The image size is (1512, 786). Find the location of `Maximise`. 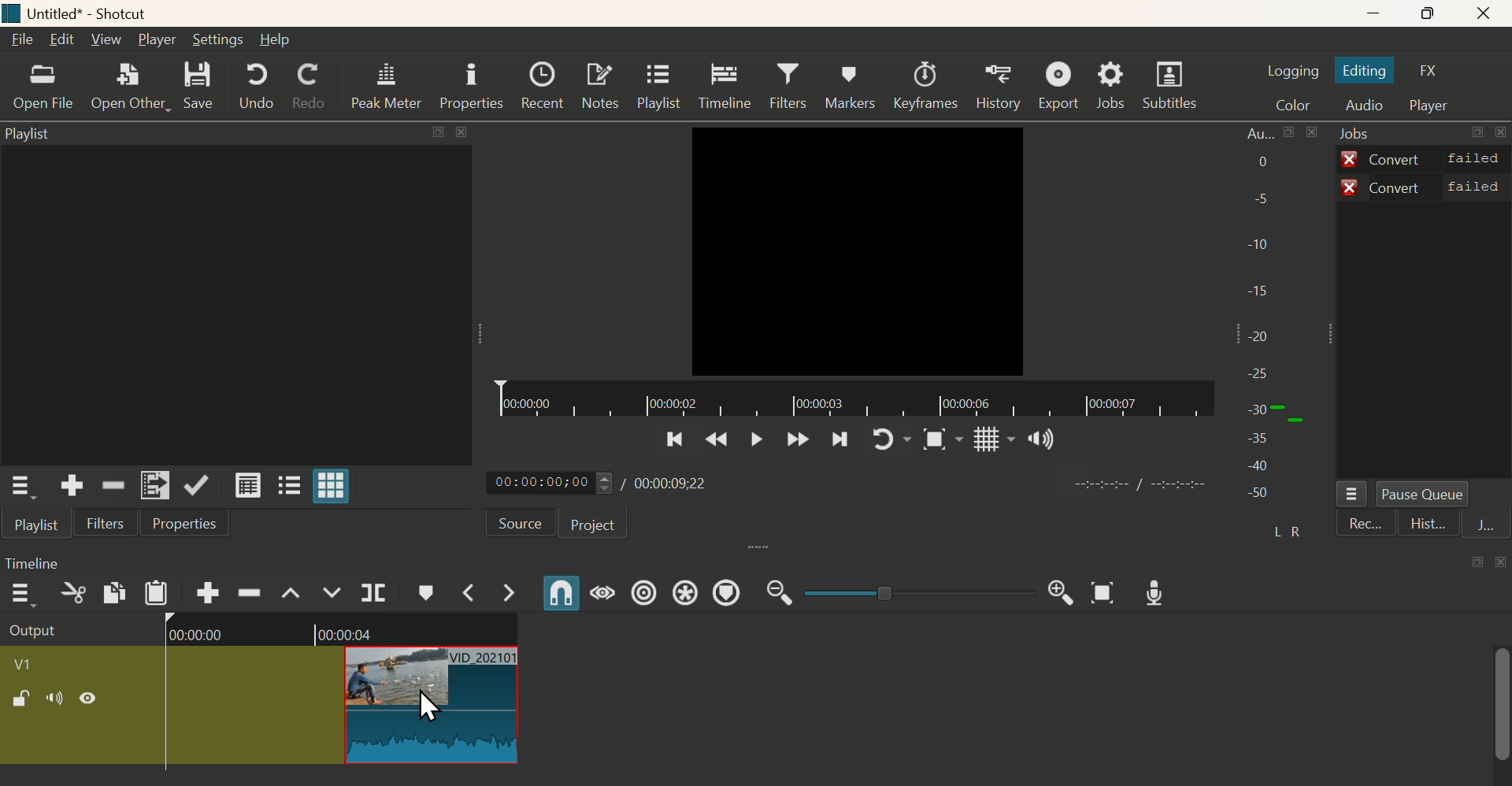

Maximise is located at coordinates (1435, 14).